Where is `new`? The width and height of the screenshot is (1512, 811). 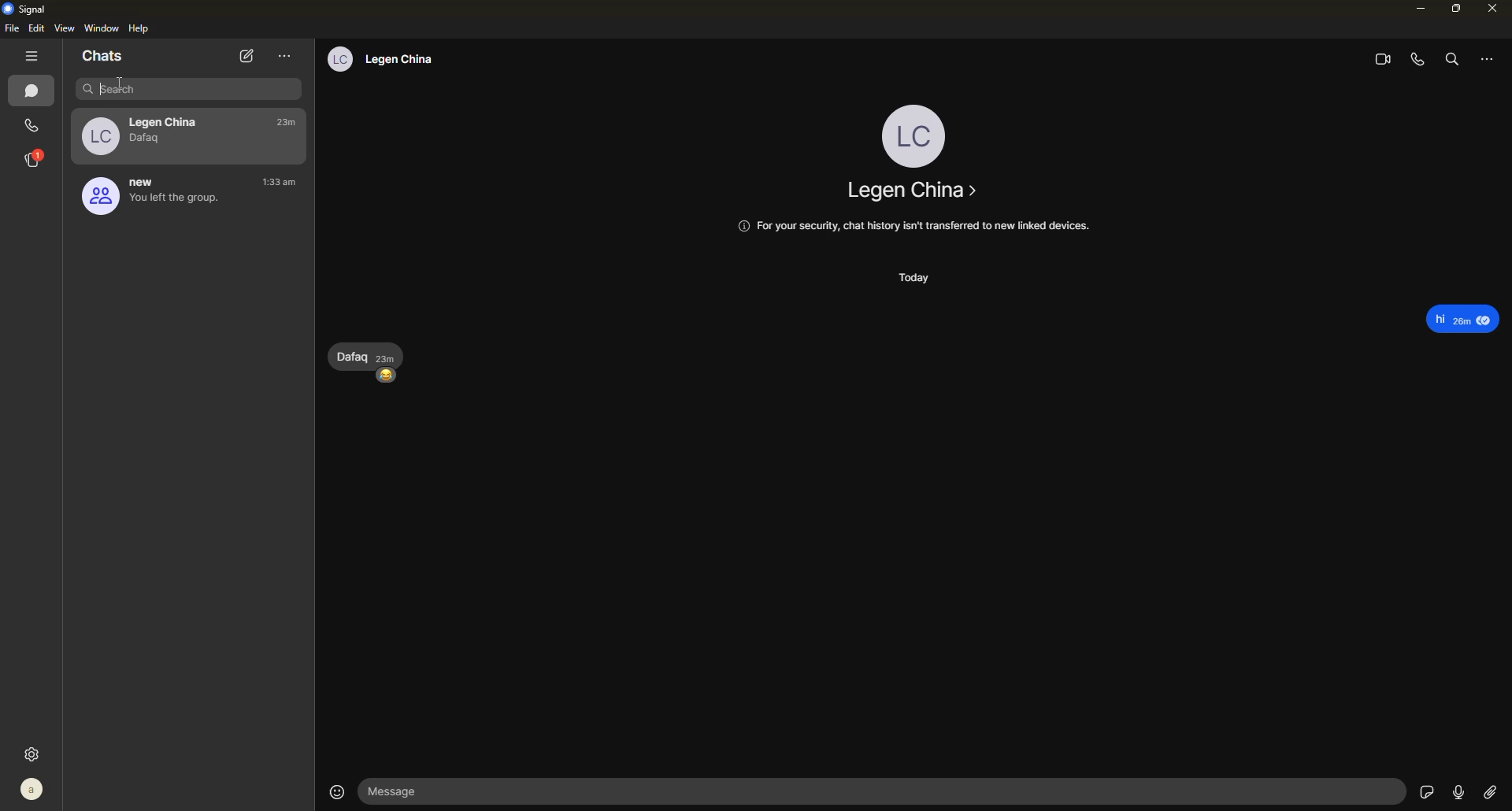 new is located at coordinates (152, 180).